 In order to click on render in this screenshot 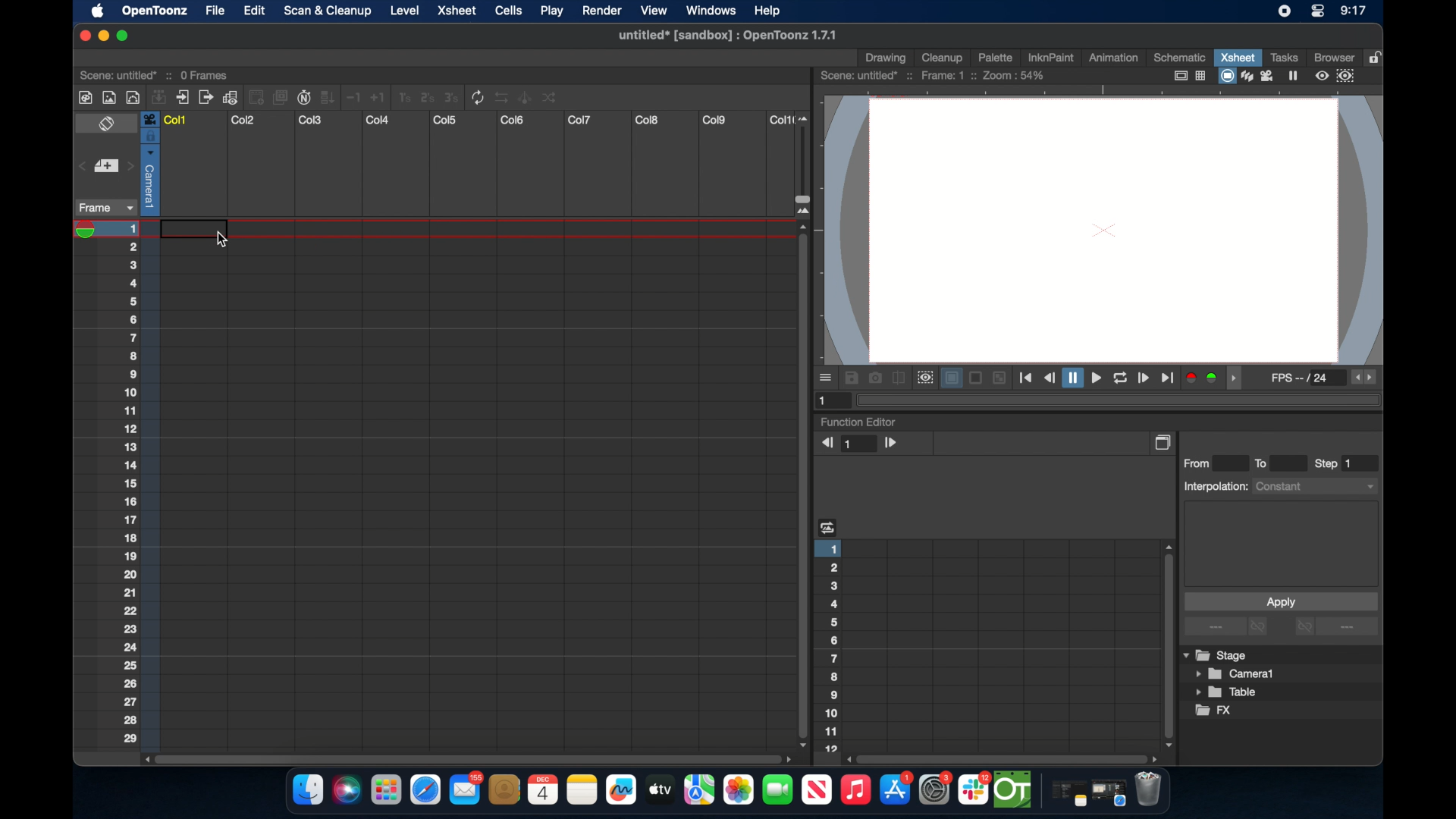, I will do `click(602, 11)`.